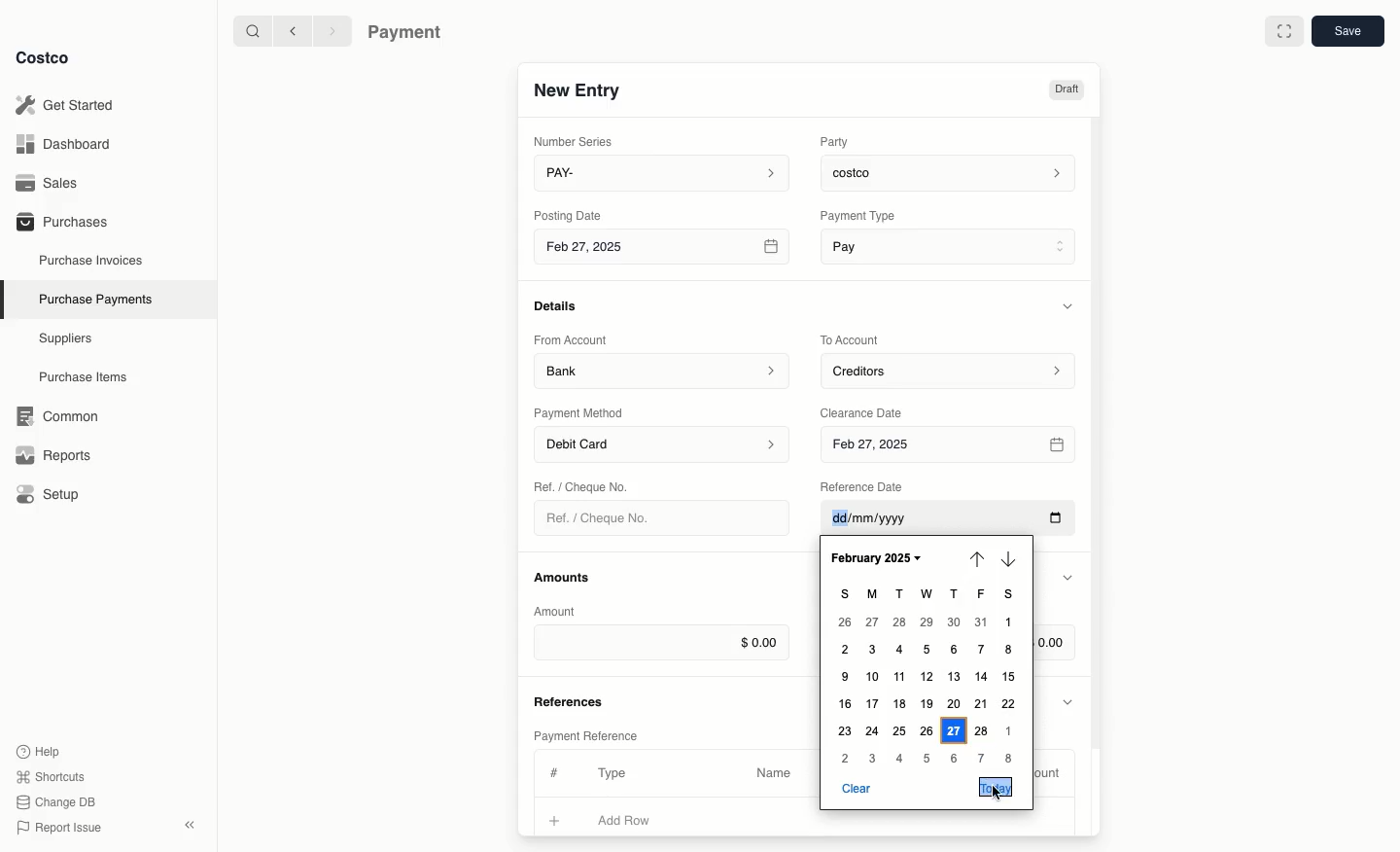  What do you see at coordinates (951, 445) in the screenshot?
I see `Feb 27, 2025` at bounding box center [951, 445].